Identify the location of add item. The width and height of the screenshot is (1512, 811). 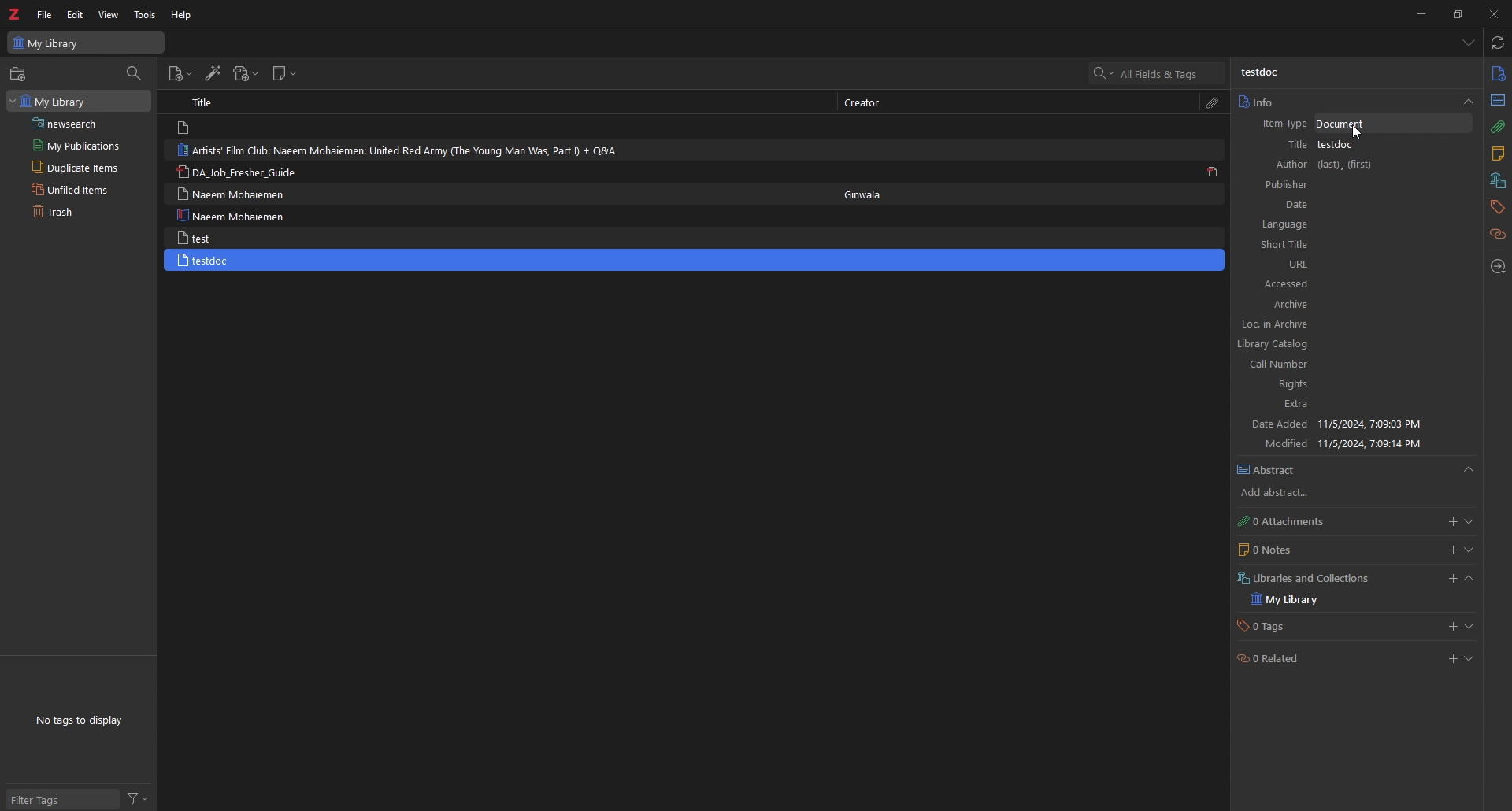
(180, 74).